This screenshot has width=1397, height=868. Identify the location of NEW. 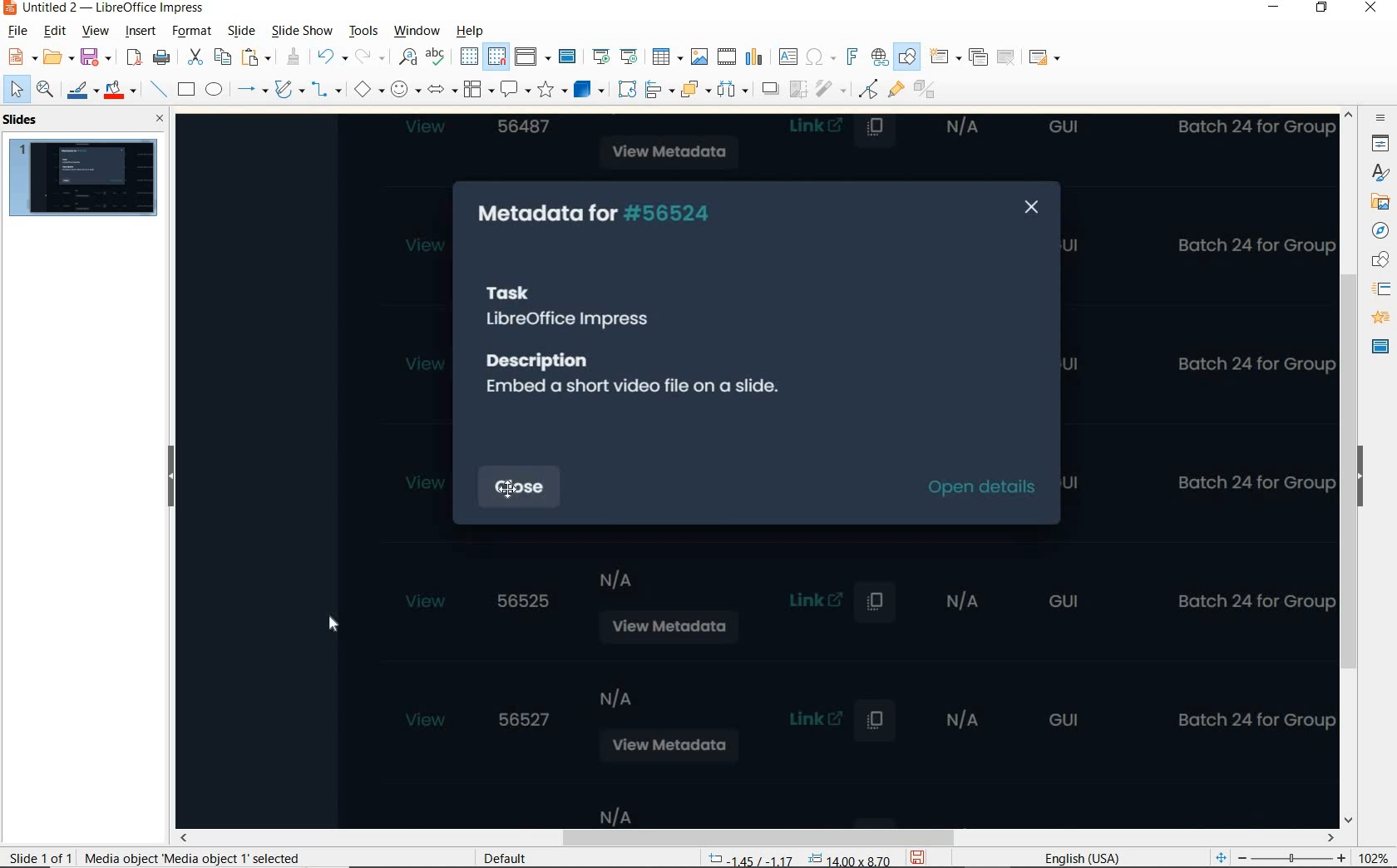
(18, 57).